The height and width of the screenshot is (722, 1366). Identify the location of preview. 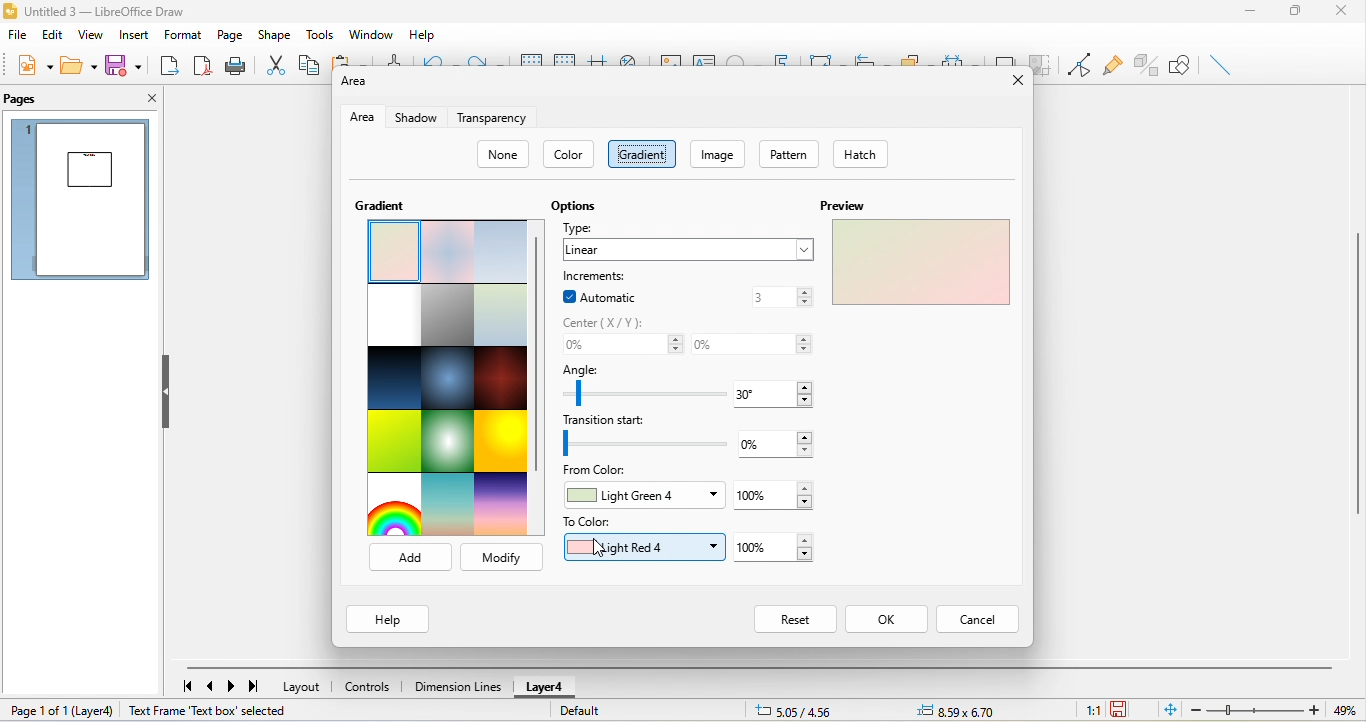
(846, 206).